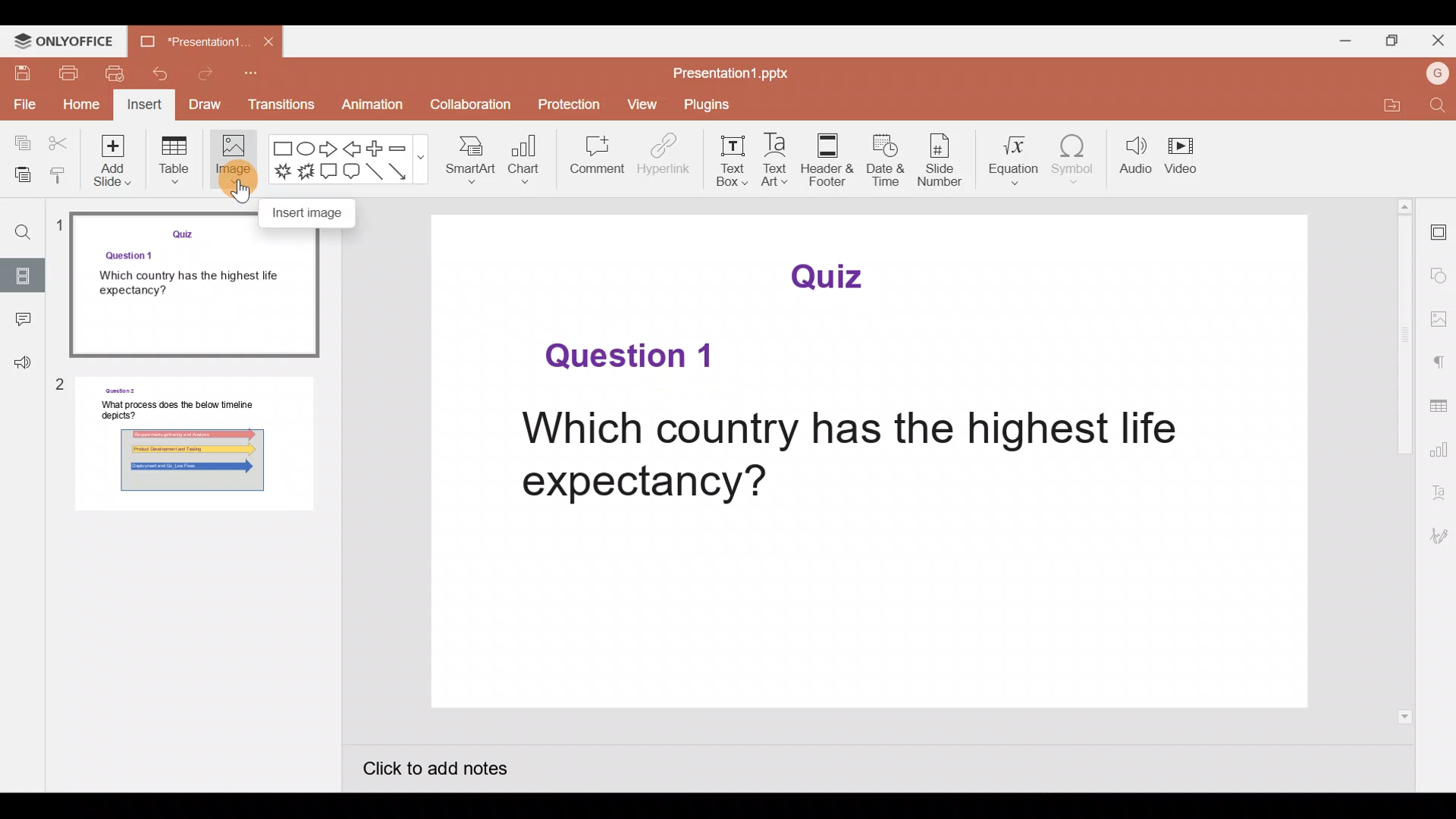  What do you see at coordinates (71, 75) in the screenshot?
I see `Print file` at bounding box center [71, 75].